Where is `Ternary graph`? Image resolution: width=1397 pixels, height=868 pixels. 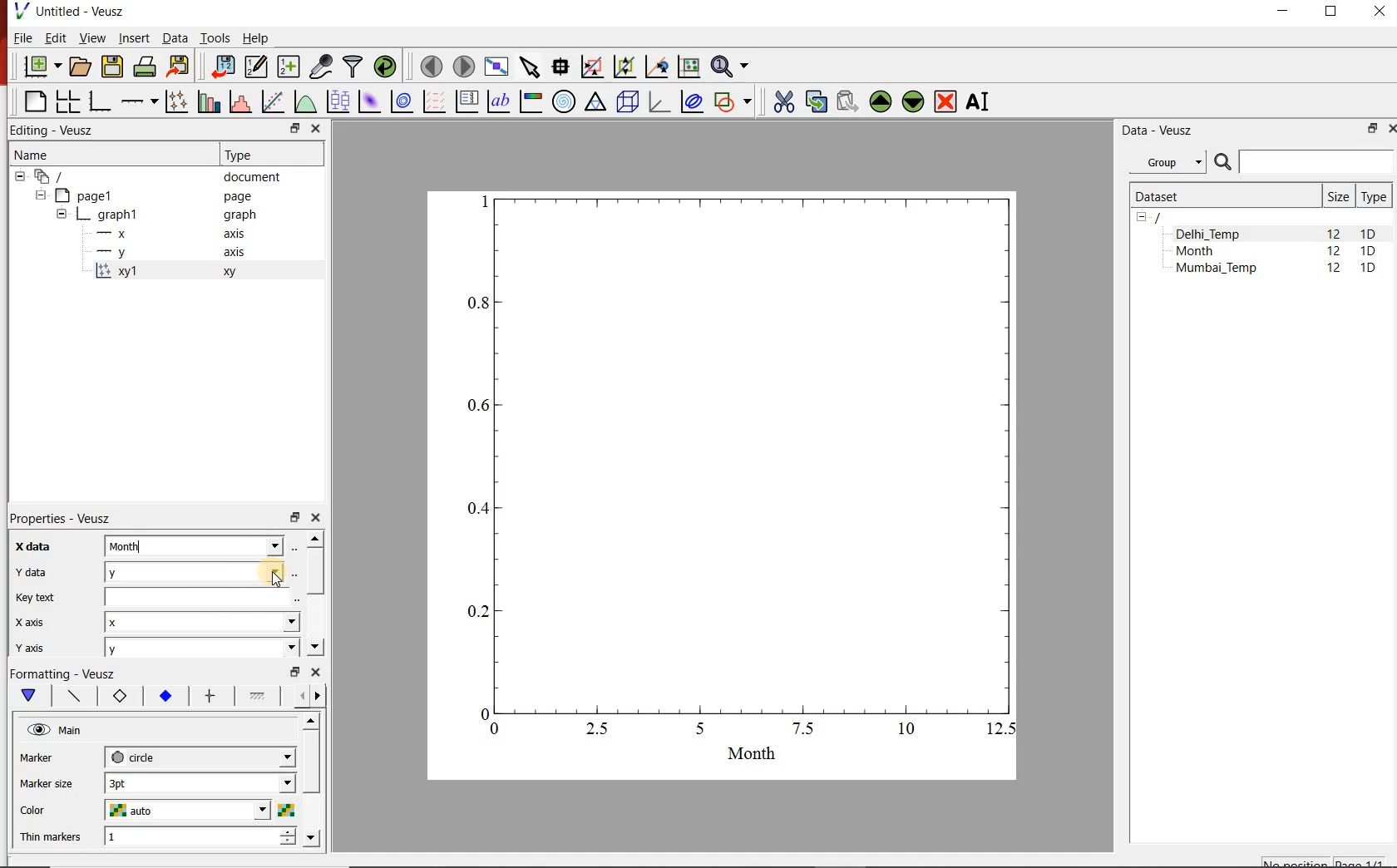
Ternary graph is located at coordinates (595, 103).